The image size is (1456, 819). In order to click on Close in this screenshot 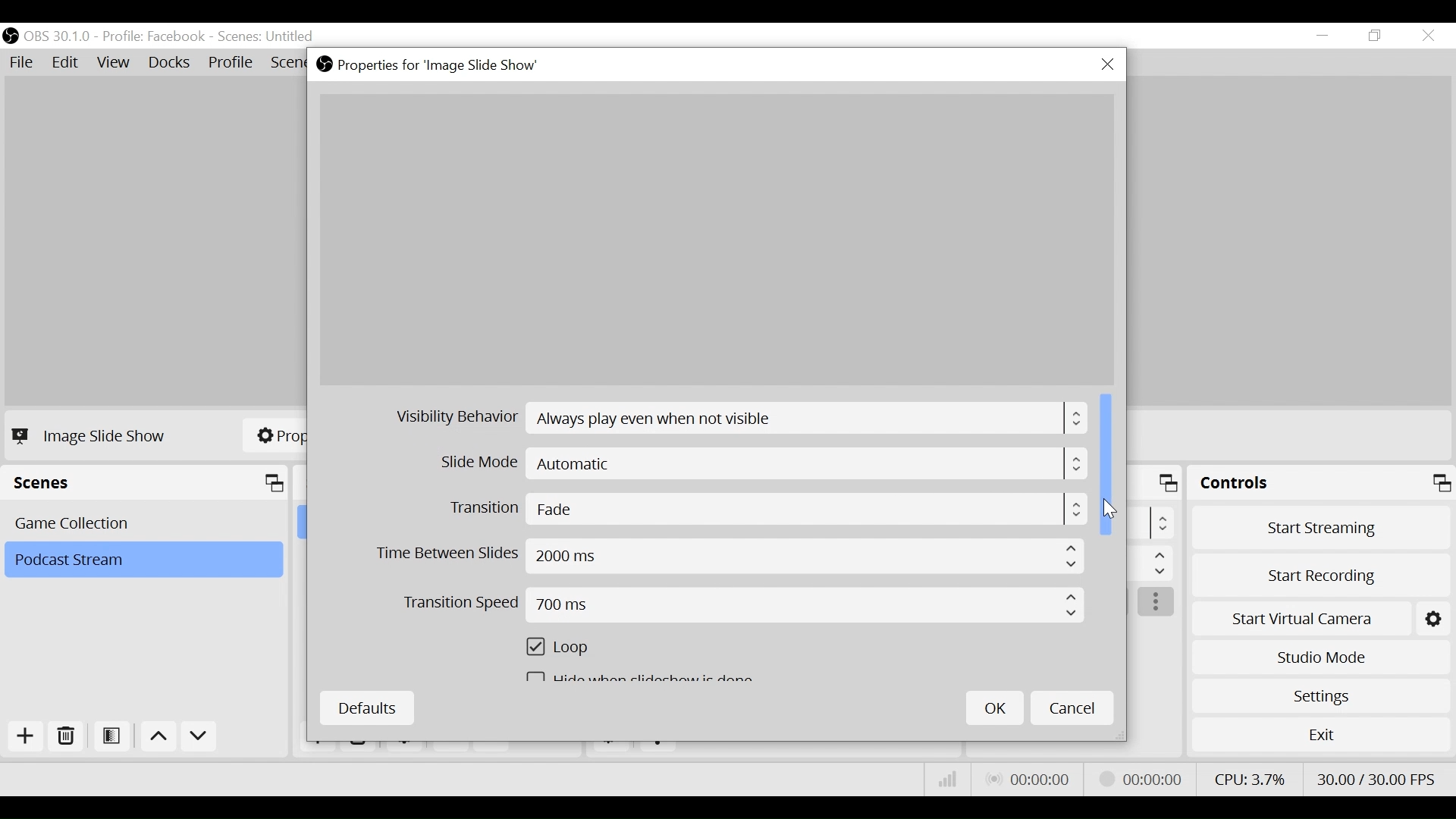, I will do `click(1107, 65)`.